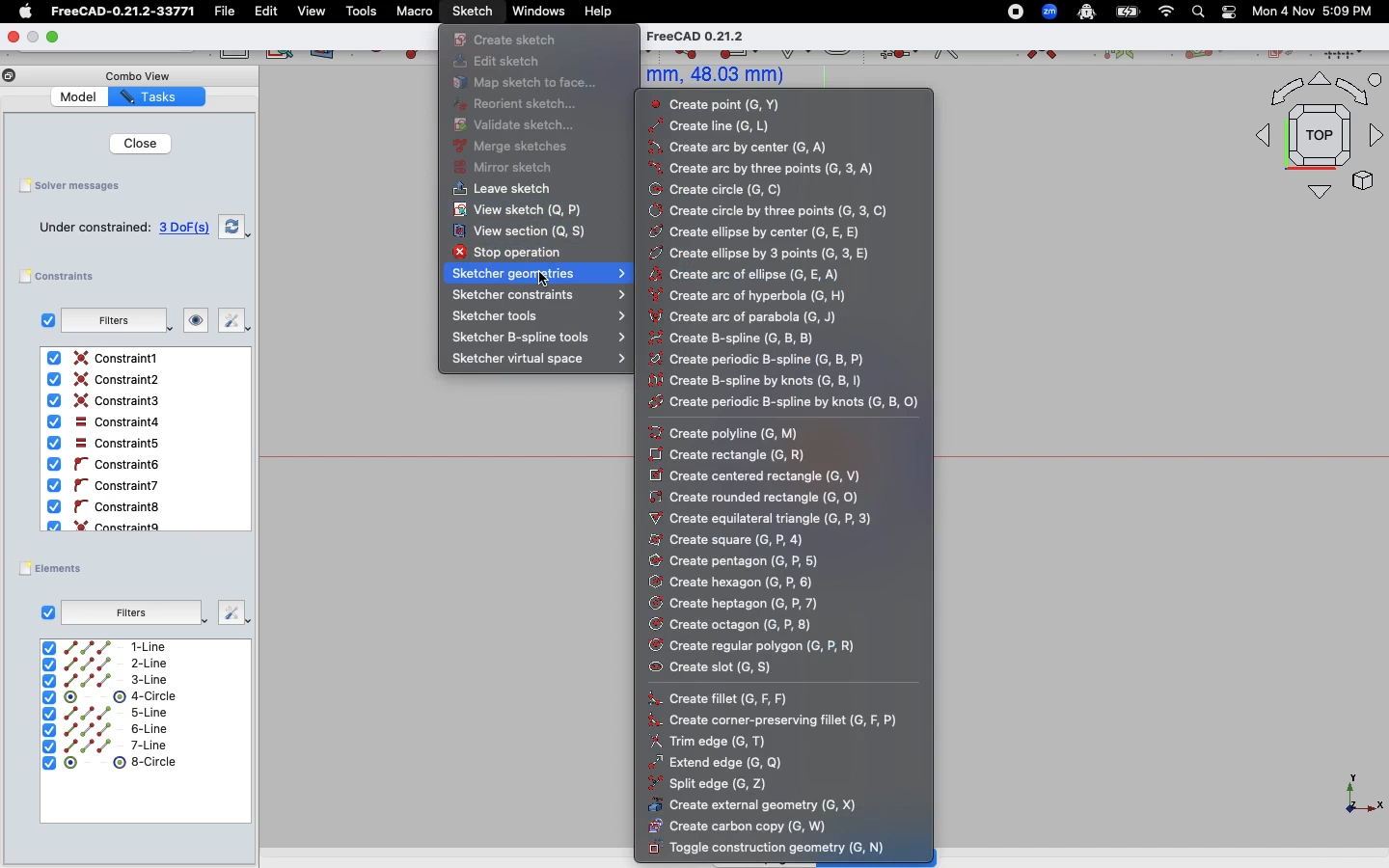  What do you see at coordinates (1129, 11) in the screenshot?
I see `Battery` at bounding box center [1129, 11].